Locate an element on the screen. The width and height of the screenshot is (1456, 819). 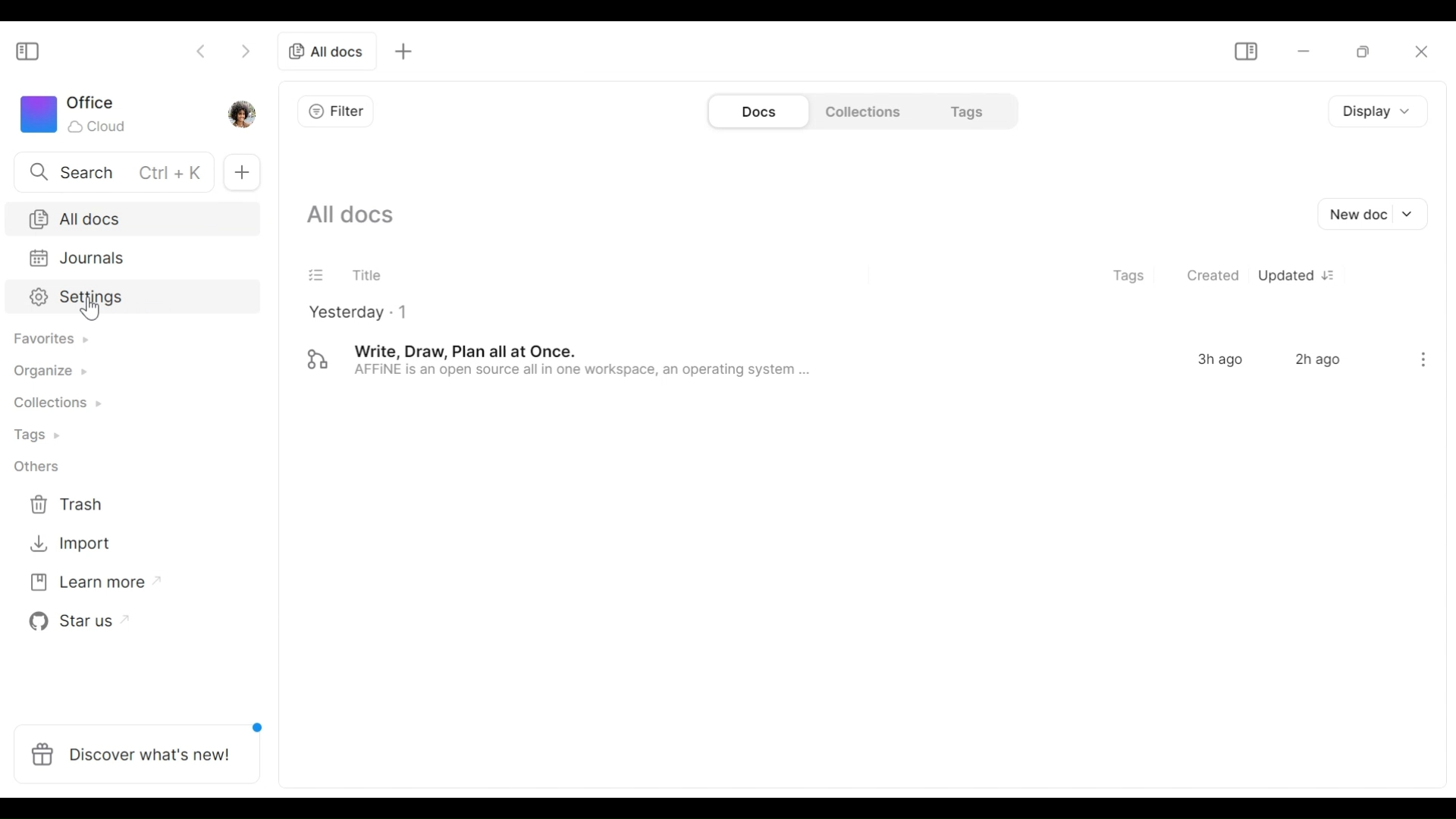
Document is located at coordinates (858, 359).